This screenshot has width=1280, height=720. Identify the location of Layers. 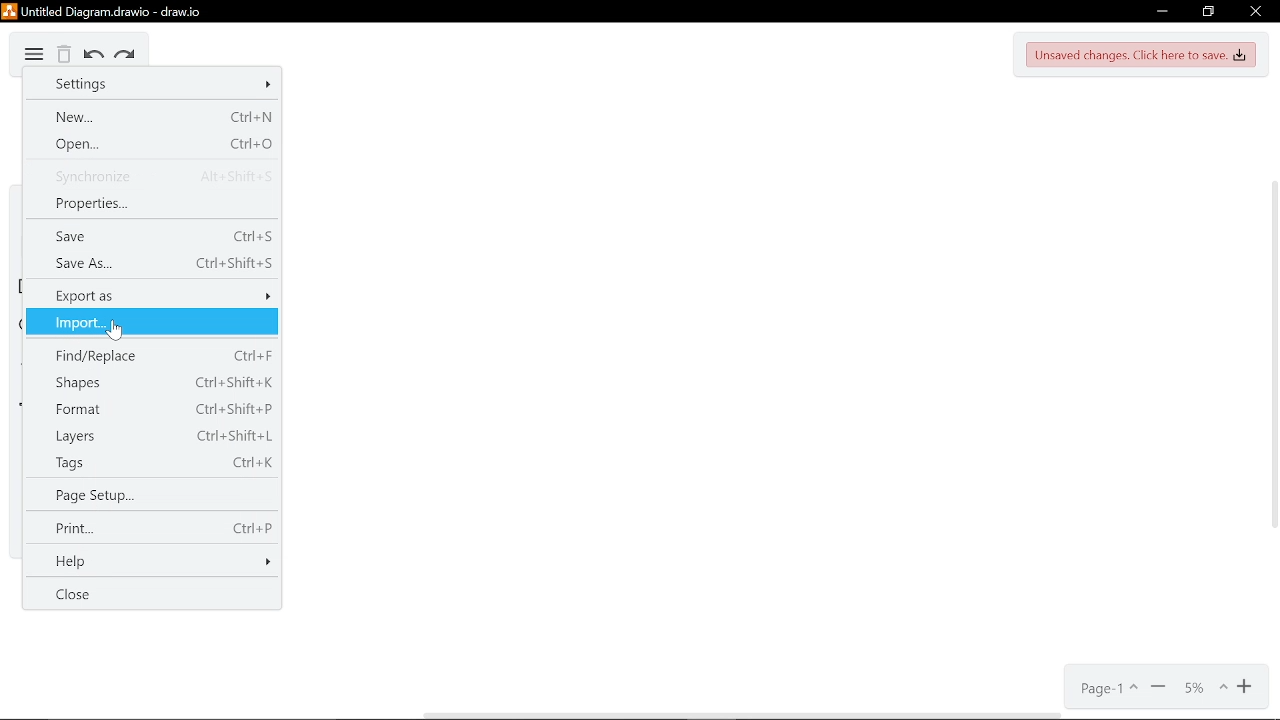
(148, 437).